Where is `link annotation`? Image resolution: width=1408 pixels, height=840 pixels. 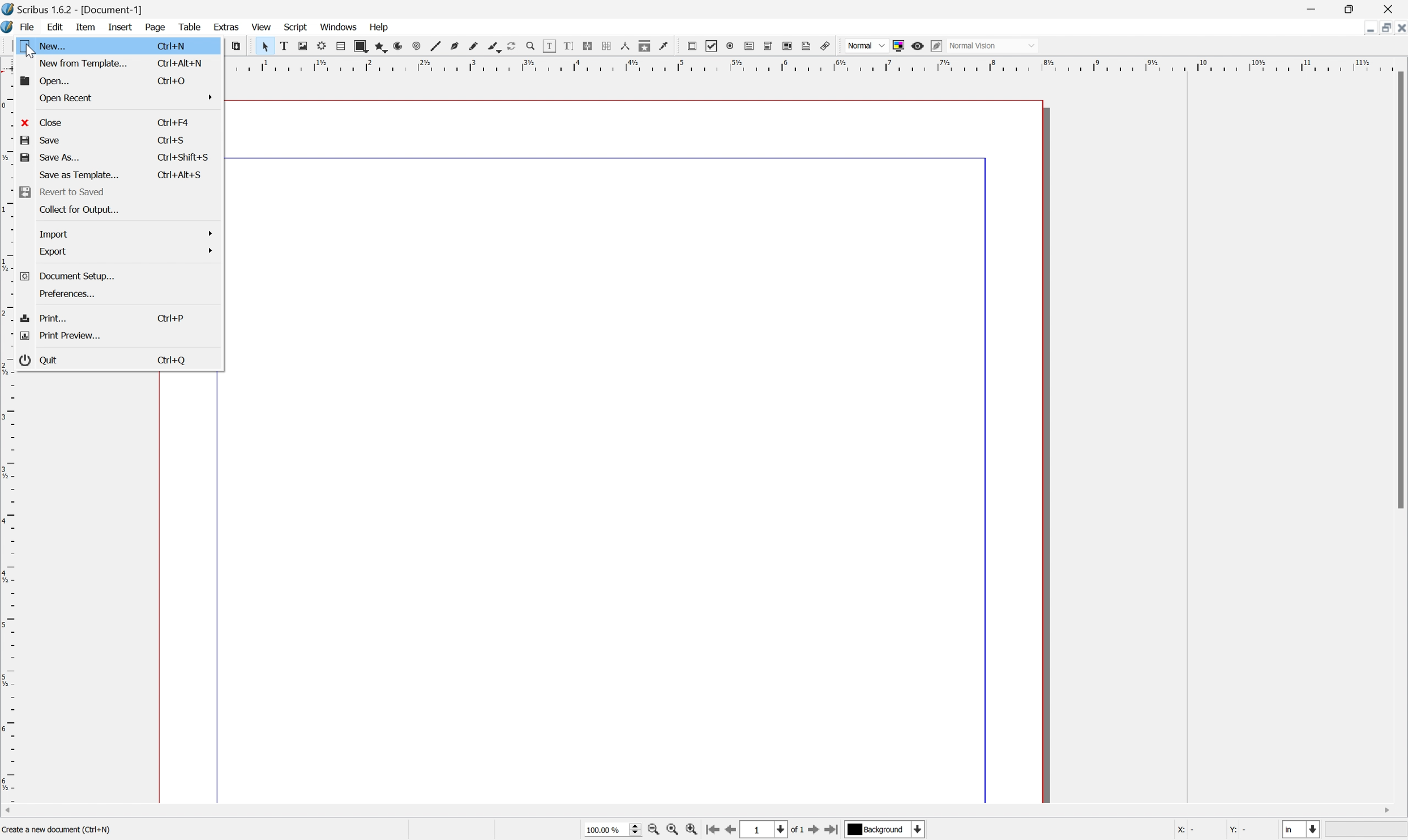 link annotation is located at coordinates (828, 45).